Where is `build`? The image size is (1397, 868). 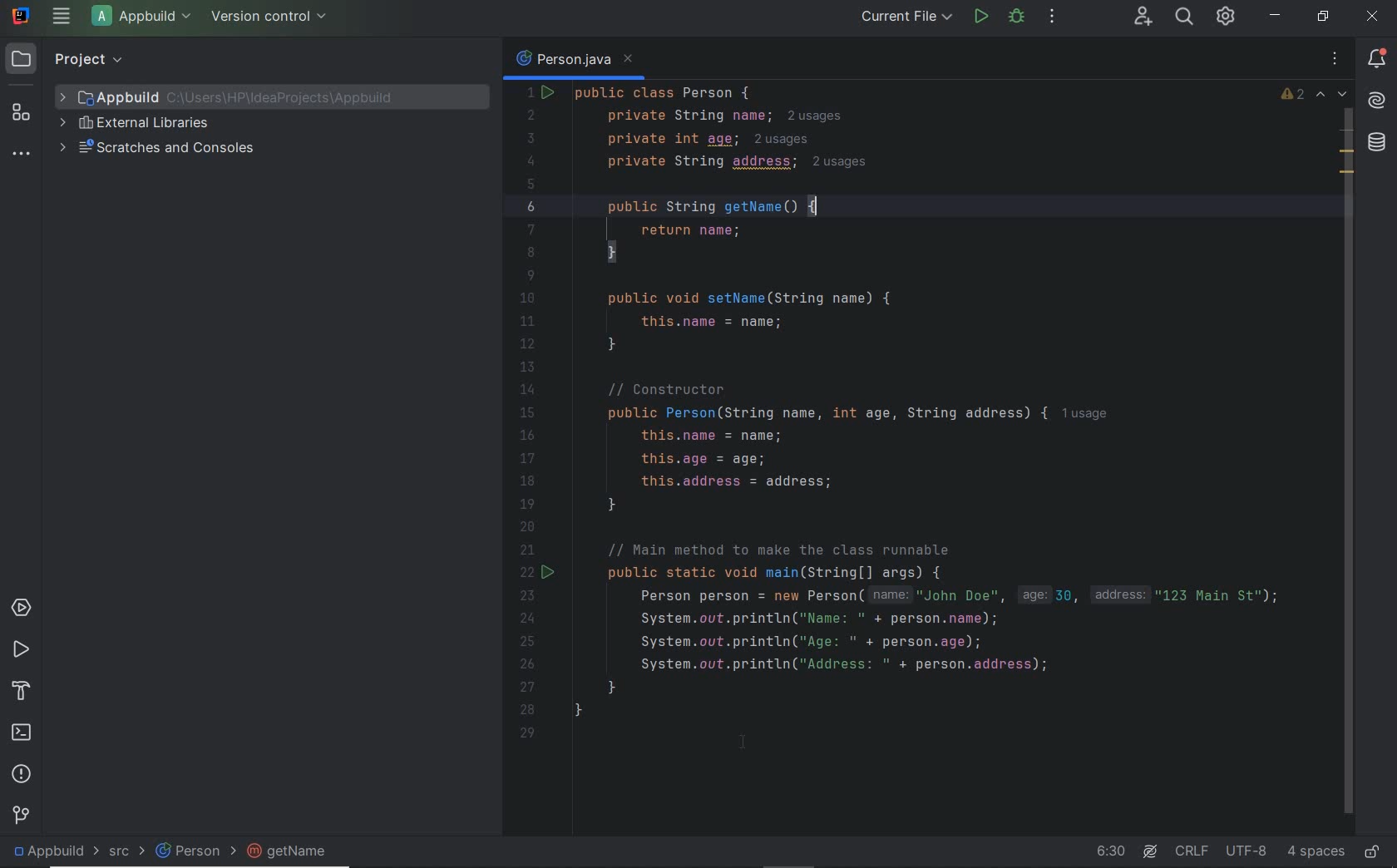 build is located at coordinates (22, 688).